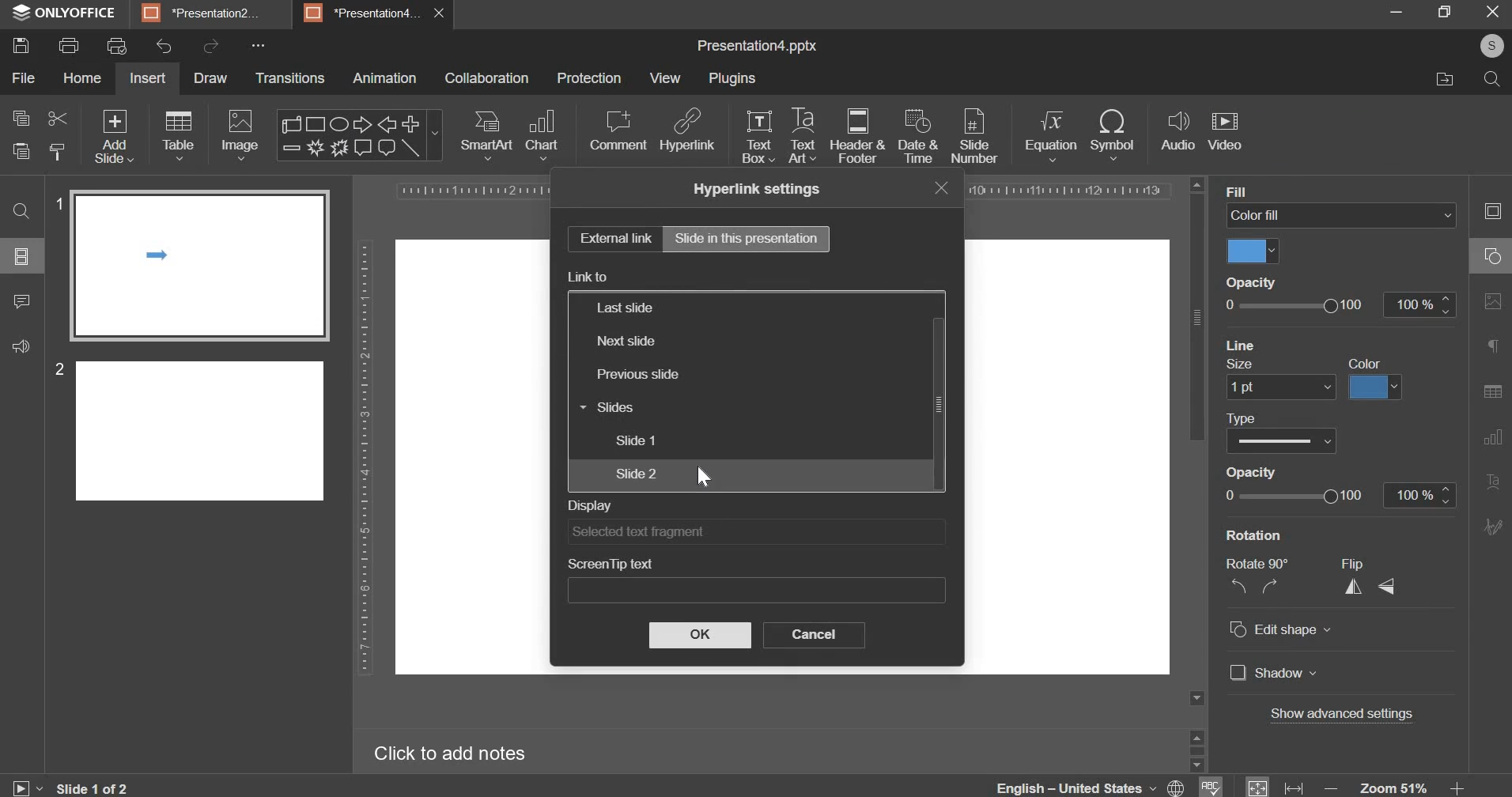 The width and height of the screenshot is (1512, 797). I want to click on © Edit shape v, so click(1283, 633).